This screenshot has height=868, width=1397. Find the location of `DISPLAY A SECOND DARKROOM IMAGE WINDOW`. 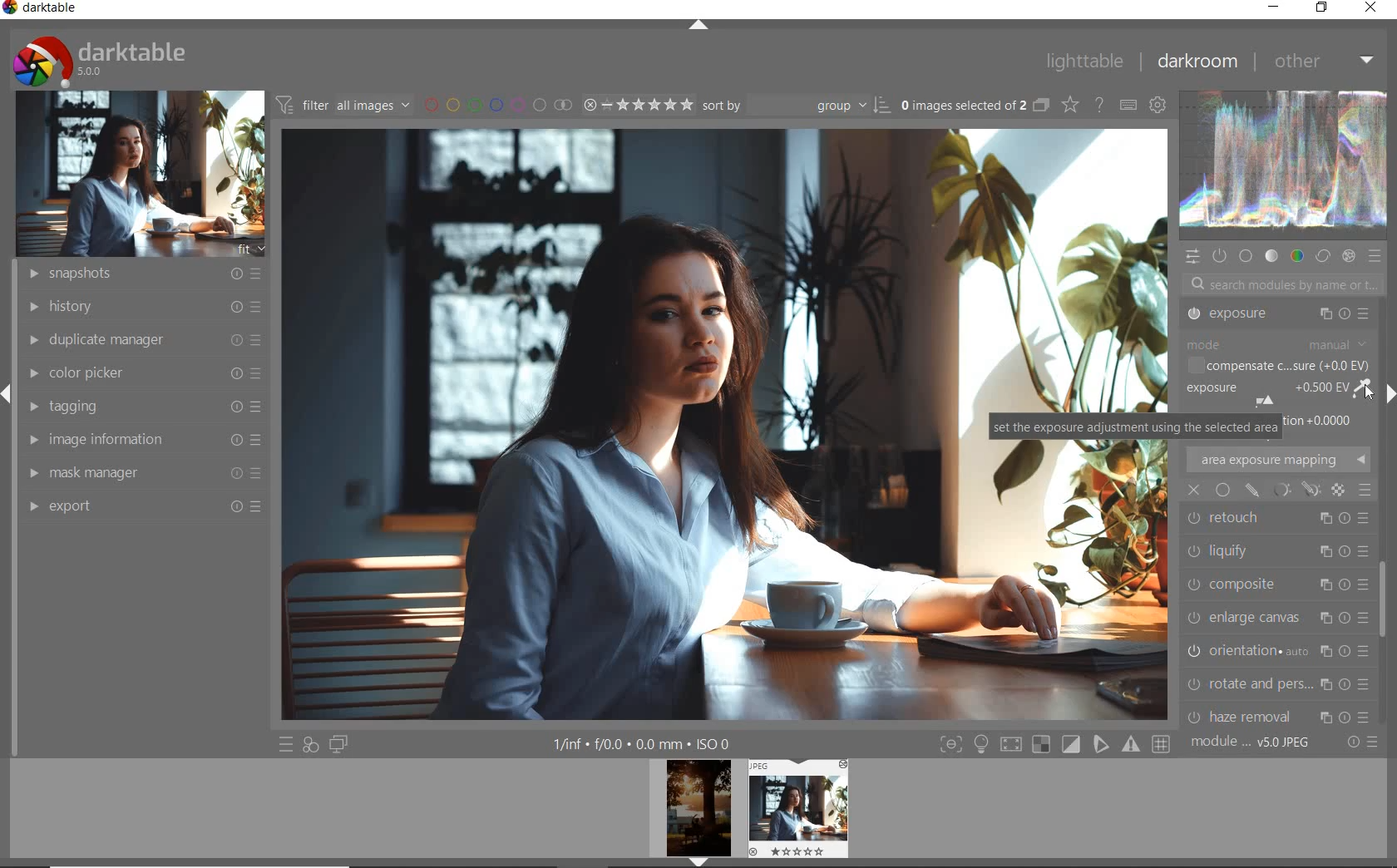

DISPLAY A SECOND DARKROOM IMAGE WINDOW is located at coordinates (339, 745).